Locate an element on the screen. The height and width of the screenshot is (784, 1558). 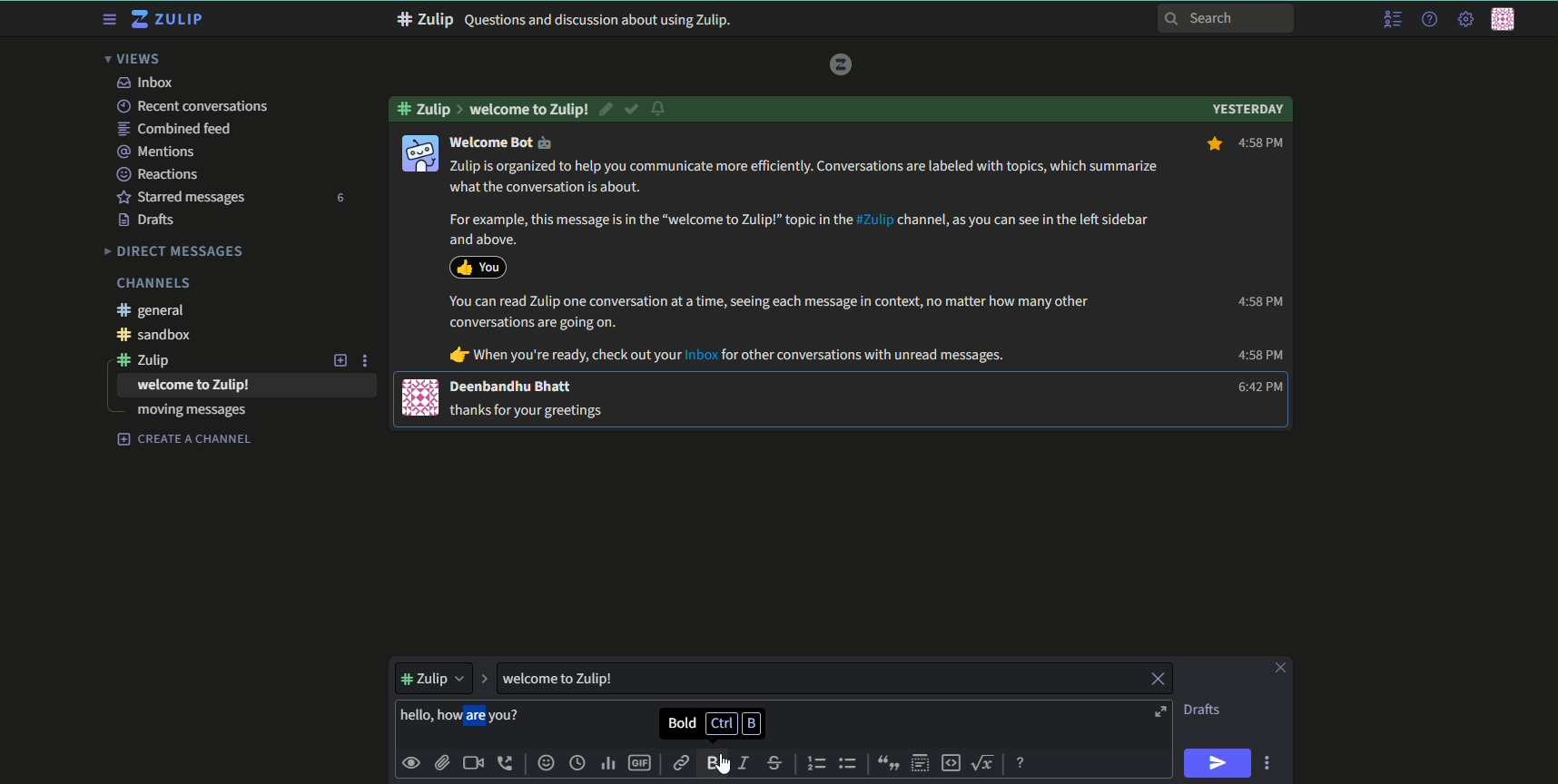
j@ thanks for your greetings is located at coordinates (531, 409).